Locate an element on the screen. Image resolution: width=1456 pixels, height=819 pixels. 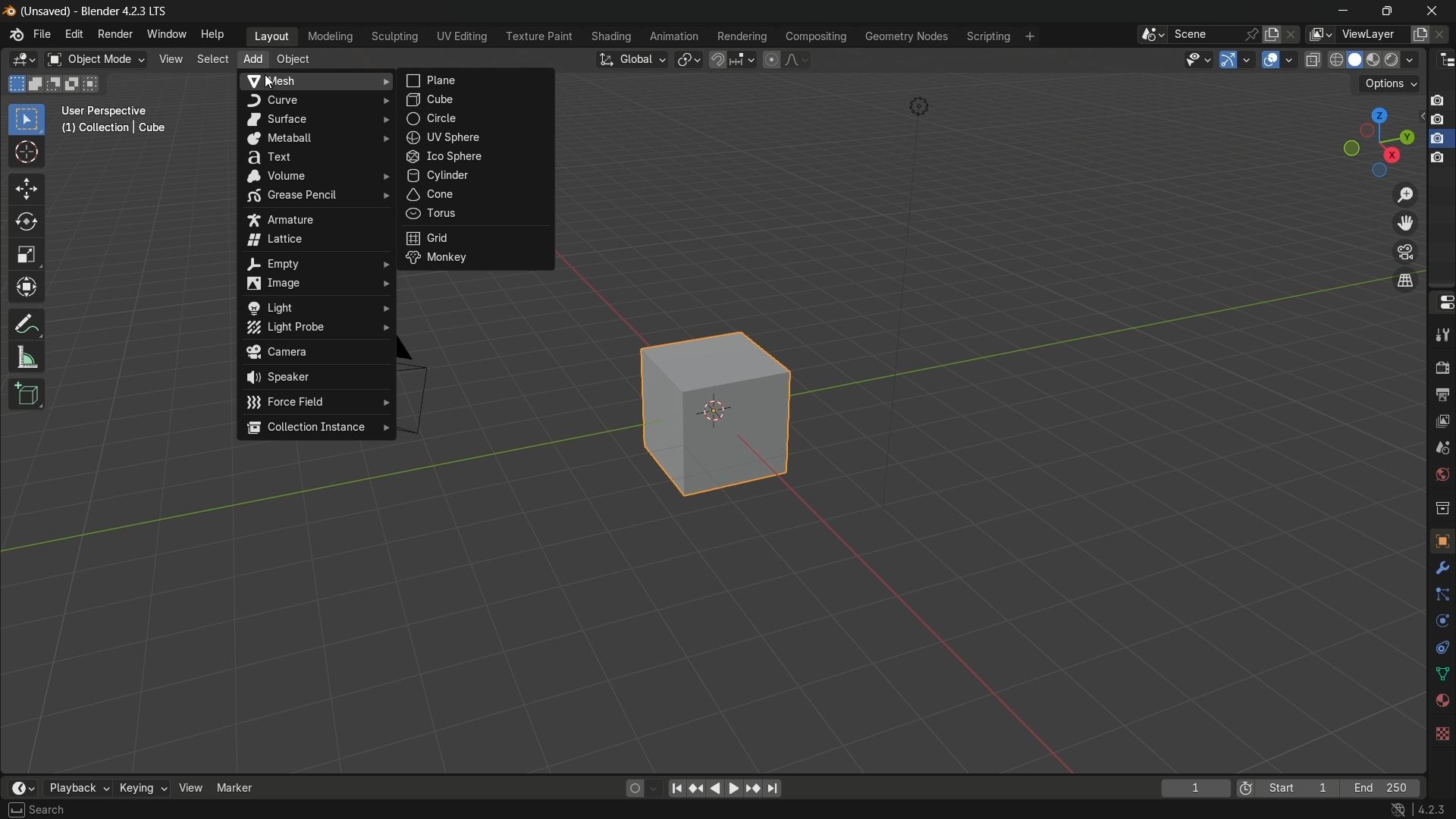
transformation orientation is located at coordinates (631, 60).